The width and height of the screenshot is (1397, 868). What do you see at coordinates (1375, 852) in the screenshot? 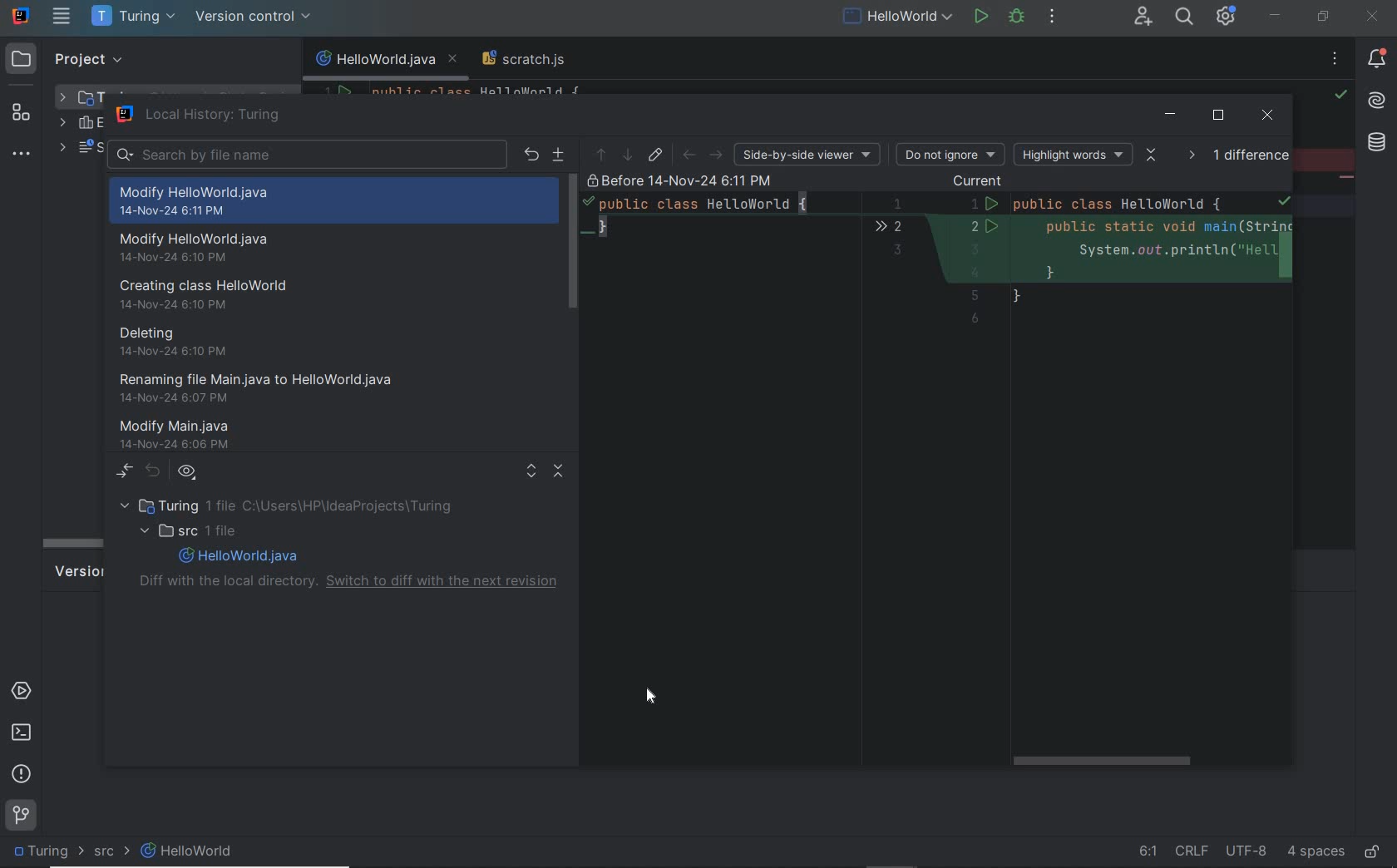
I see `make file ready only` at bounding box center [1375, 852].